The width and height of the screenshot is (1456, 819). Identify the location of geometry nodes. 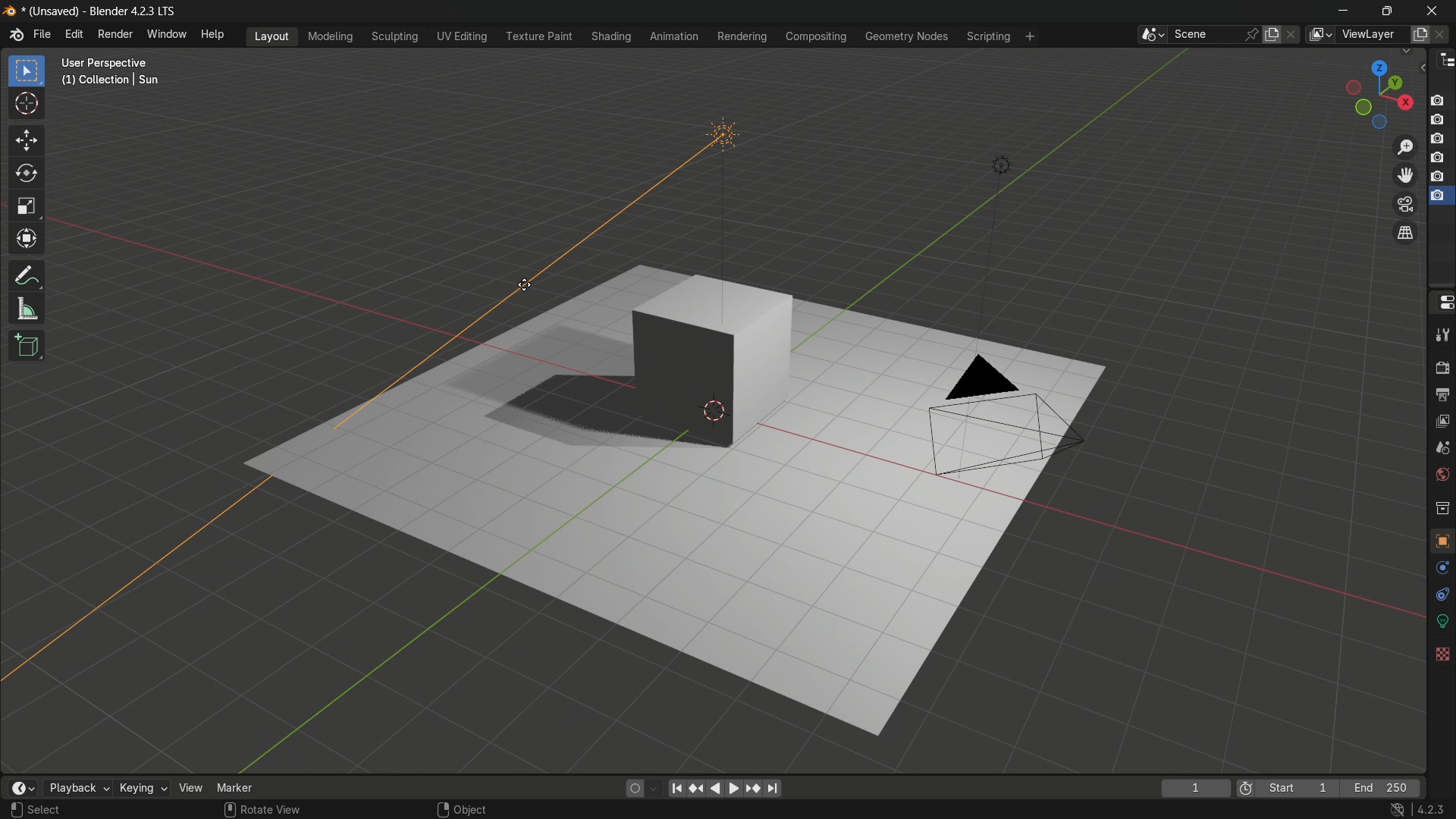
(909, 36).